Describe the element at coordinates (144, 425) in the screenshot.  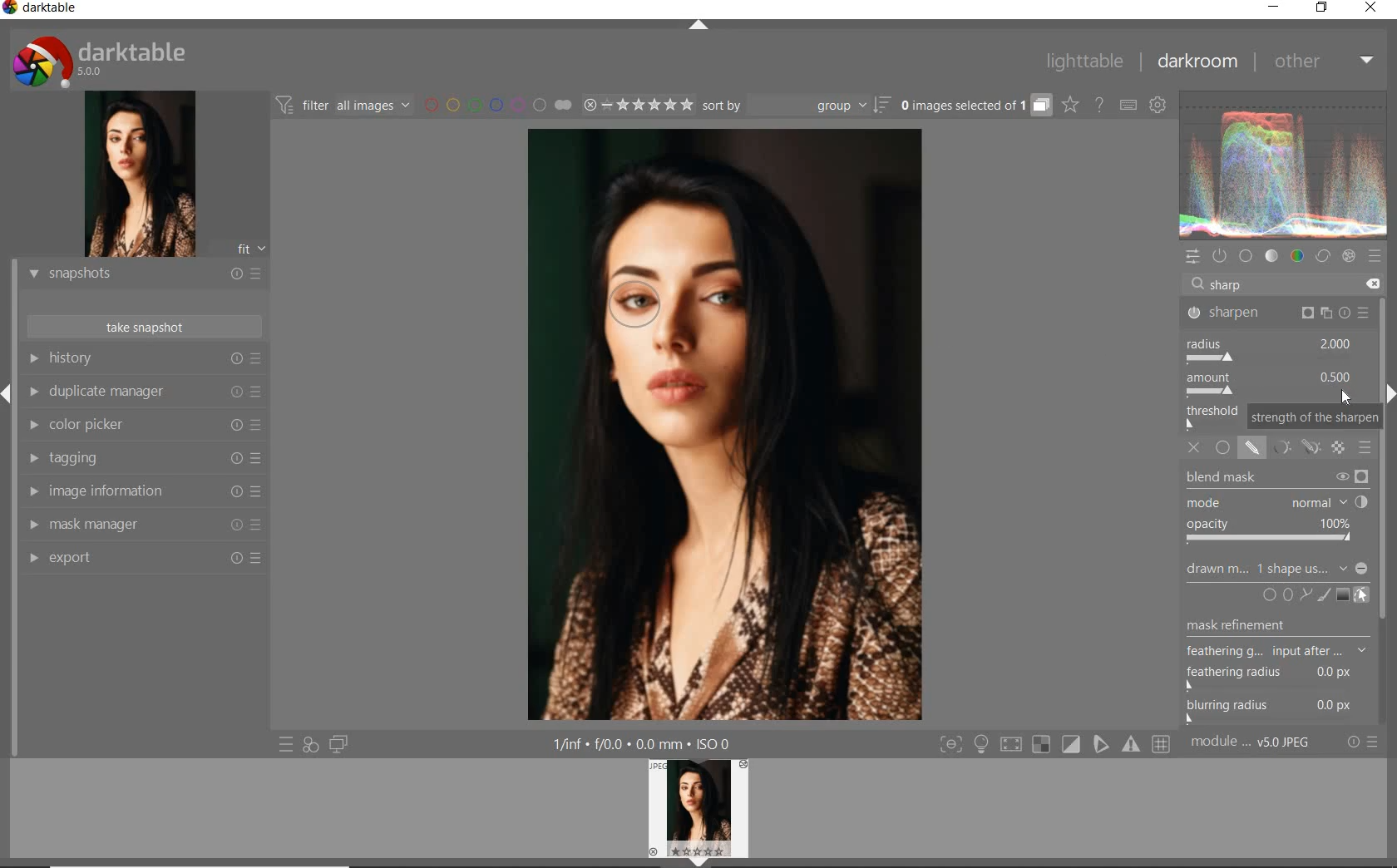
I see `color picker` at that location.